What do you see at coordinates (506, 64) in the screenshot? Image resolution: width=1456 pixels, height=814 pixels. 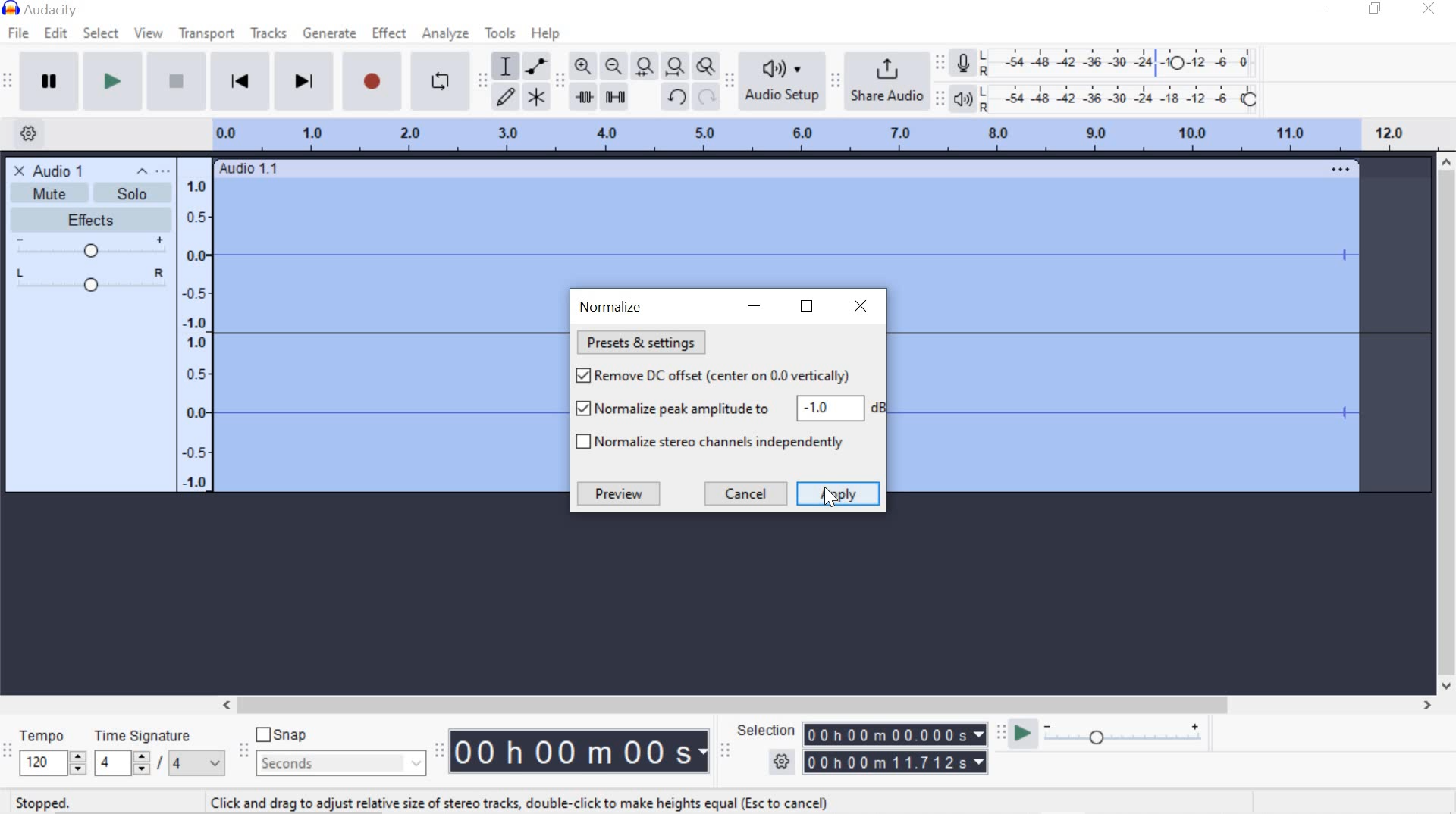 I see `Selection tool` at bounding box center [506, 64].